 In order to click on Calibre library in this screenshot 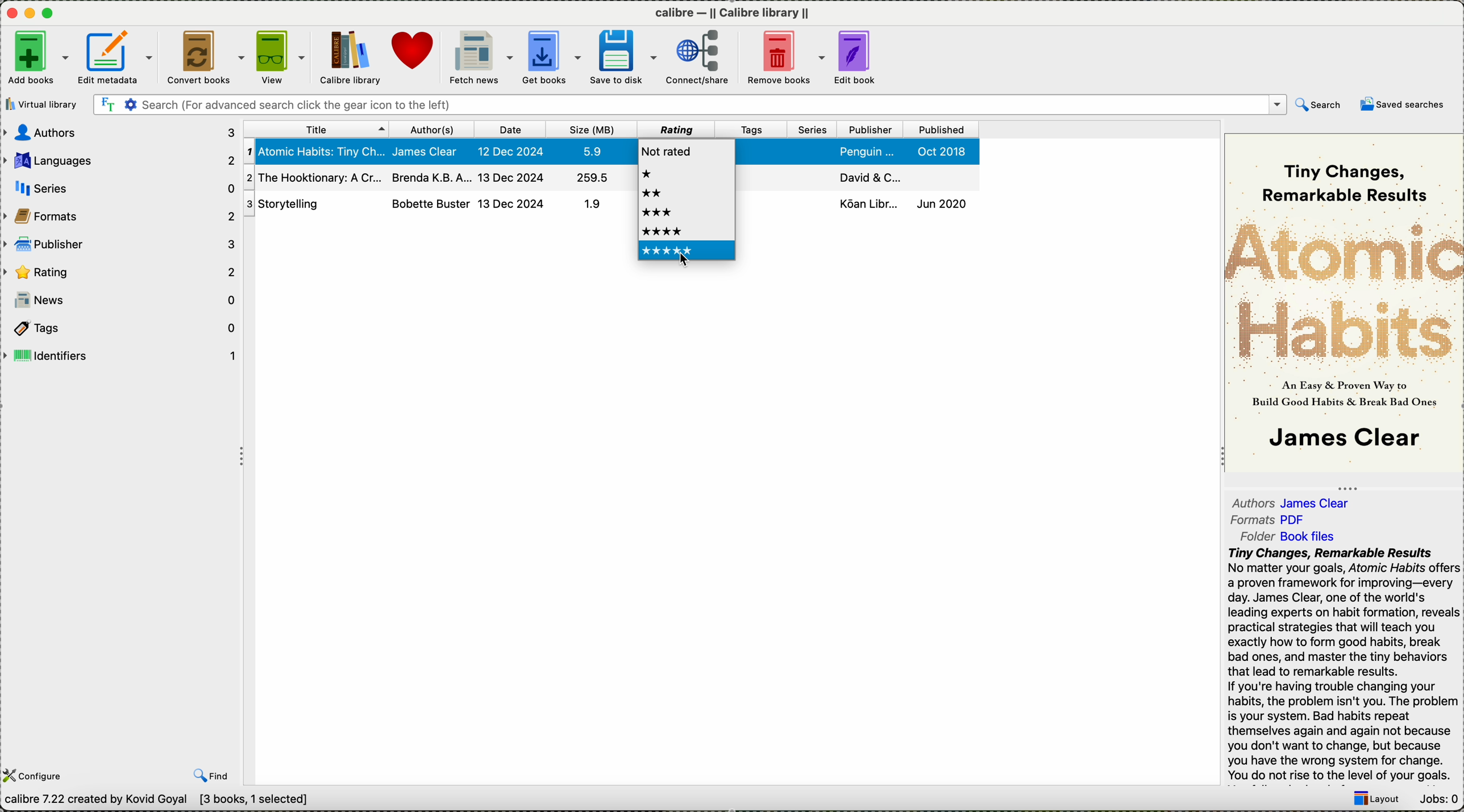, I will do `click(350, 58)`.